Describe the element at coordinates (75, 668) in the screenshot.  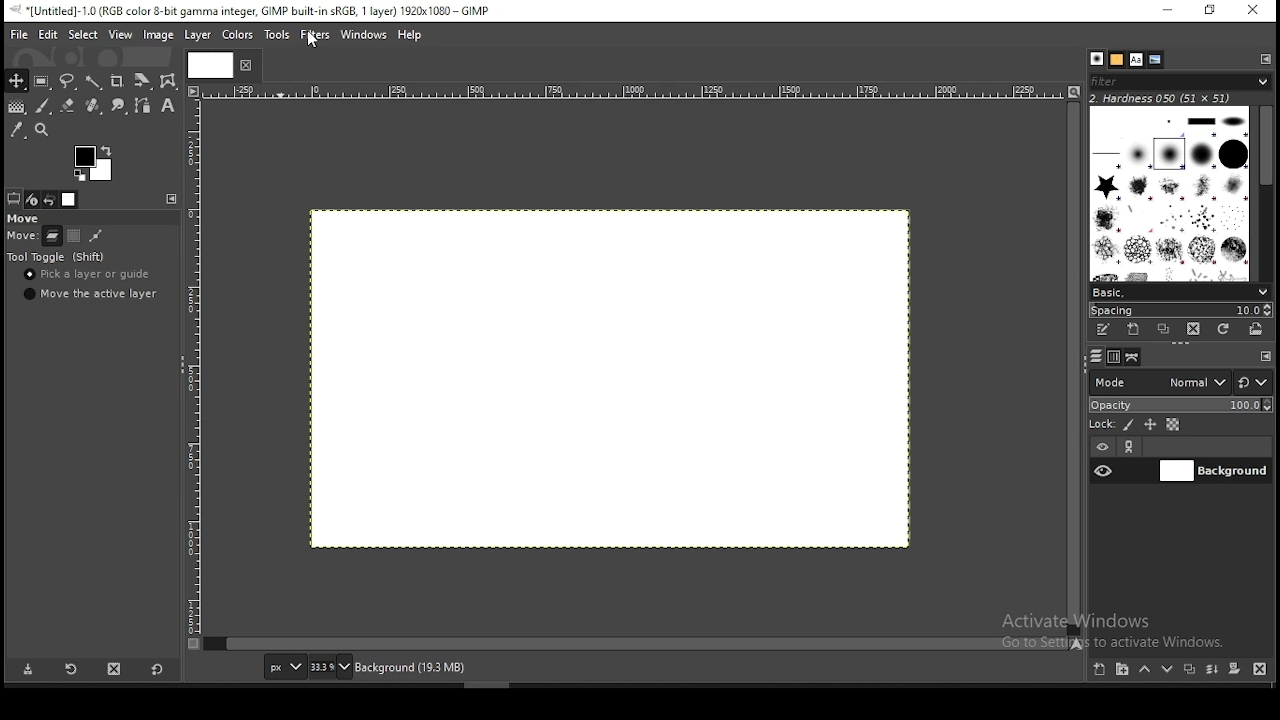
I see `restore tool preset` at that location.